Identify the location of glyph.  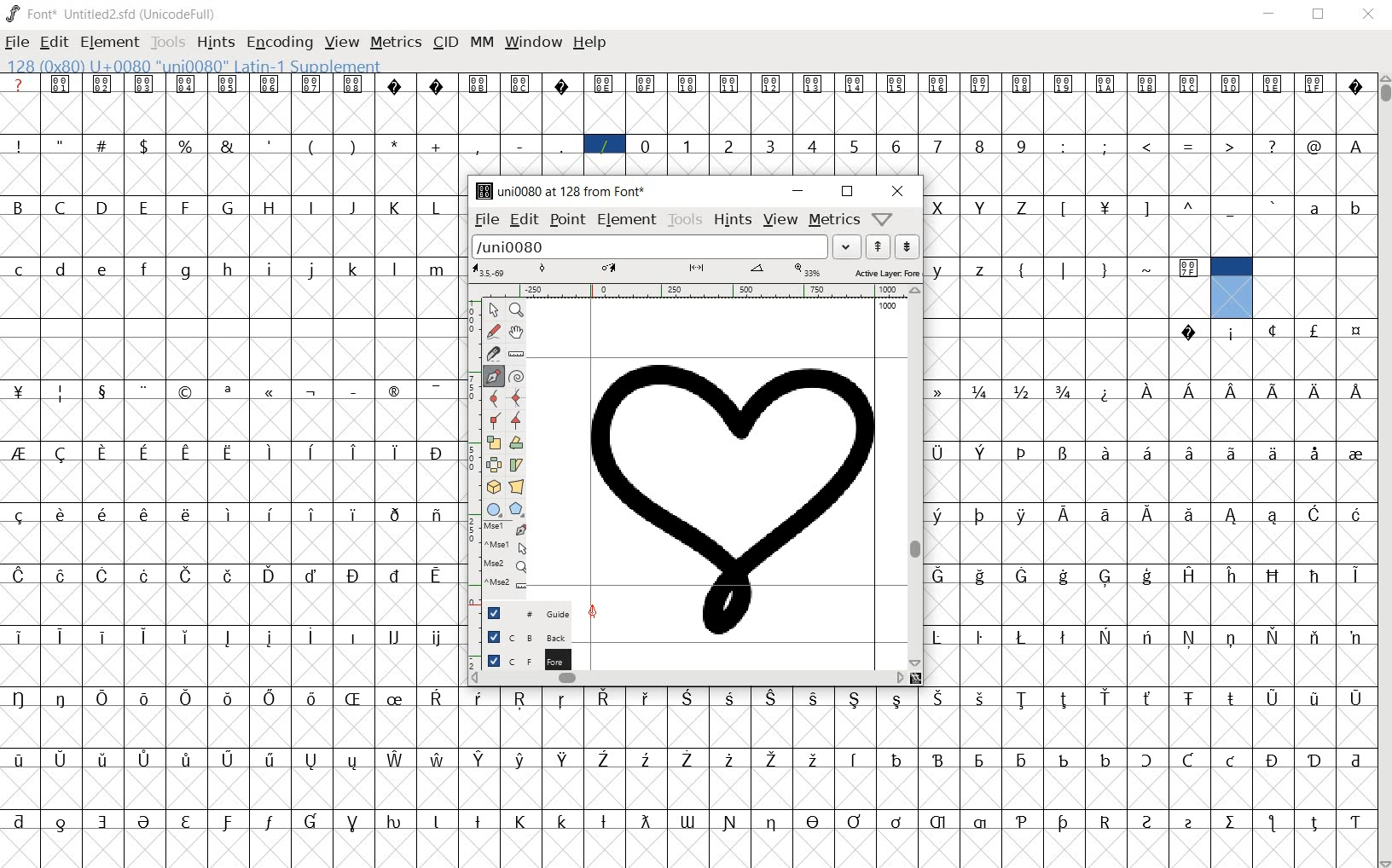
(437, 516).